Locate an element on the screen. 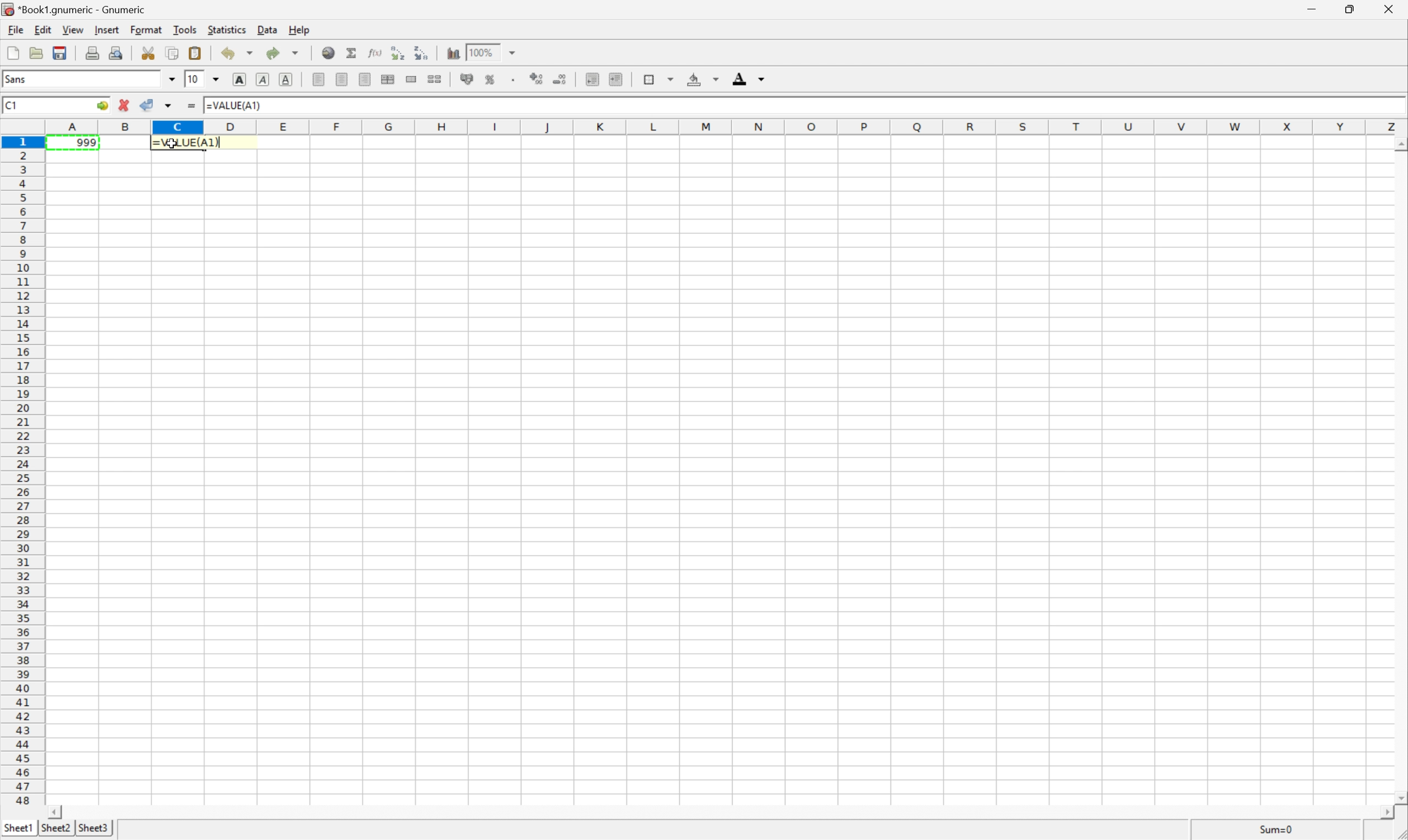 The height and width of the screenshot is (840, 1408). scroll right is located at coordinates (1385, 816).